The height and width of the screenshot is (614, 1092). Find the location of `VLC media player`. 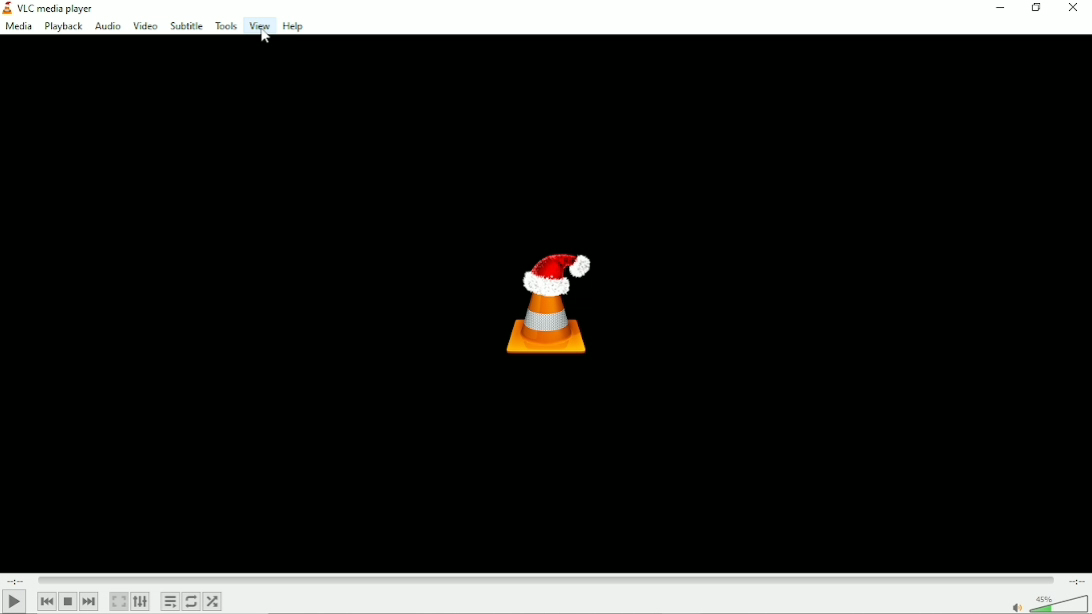

VLC media player is located at coordinates (55, 7).